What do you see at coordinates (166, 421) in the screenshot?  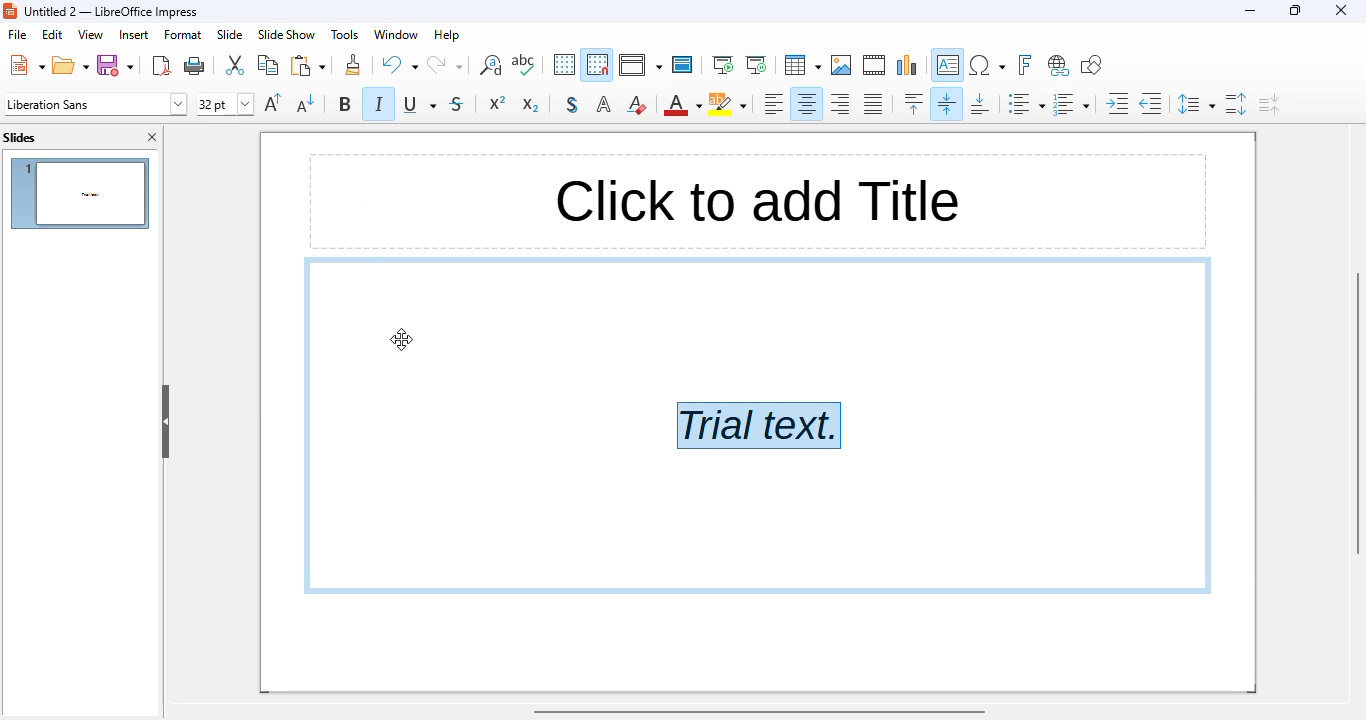 I see `hide` at bounding box center [166, 421].